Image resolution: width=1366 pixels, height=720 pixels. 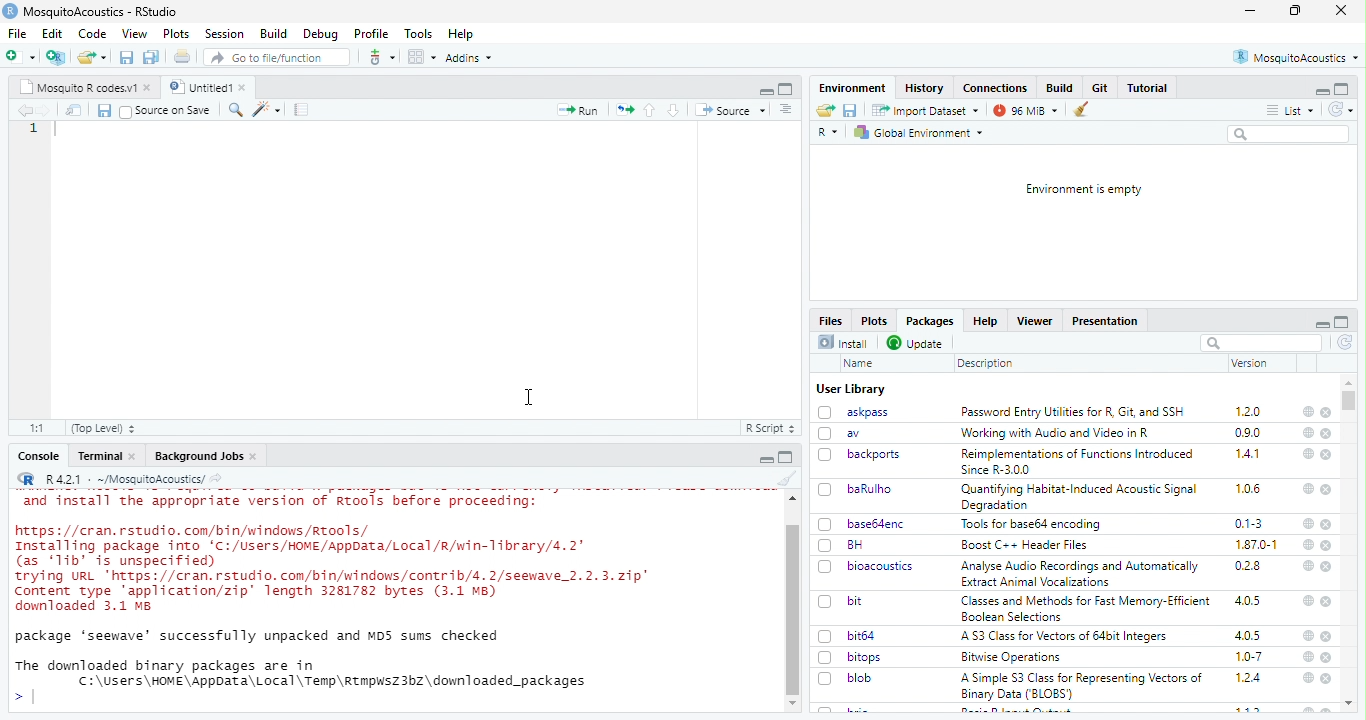 What do you see at coordinates (1023, 111) in the screenshot?
I see `6 MiB` at bounding box center [1023, 111].